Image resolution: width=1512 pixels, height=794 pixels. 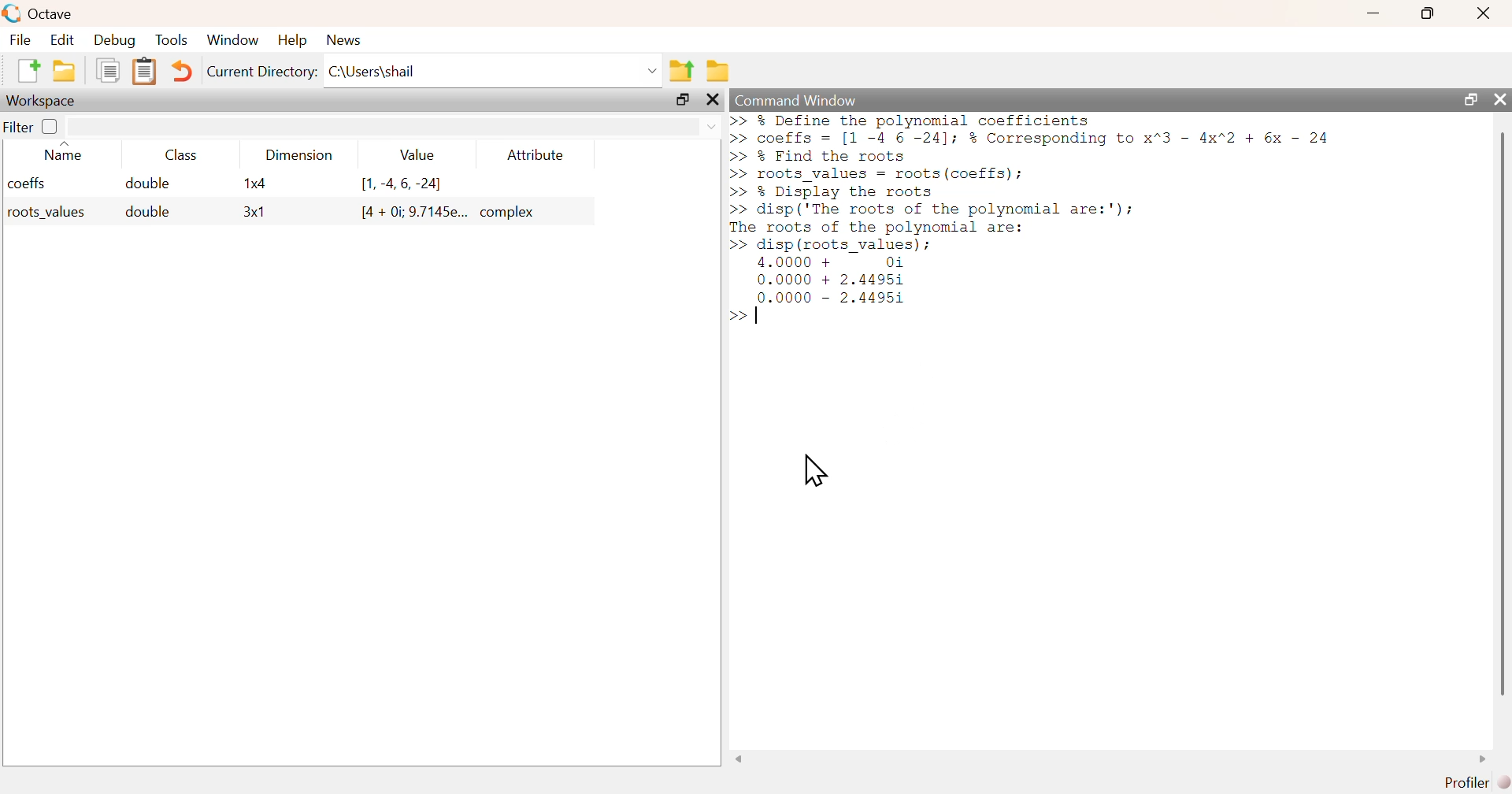 What do you see at coordinates (150, 184) in the screenshot?
I see `double` at bounding box center [150, 184].